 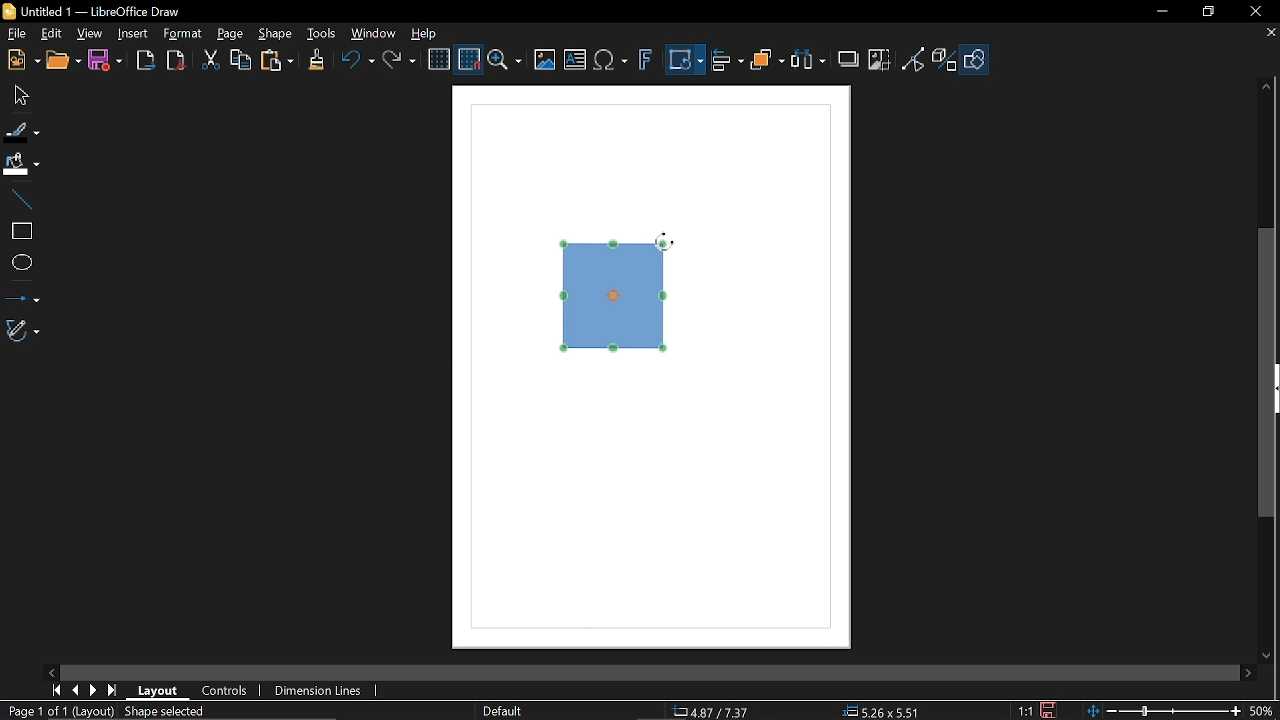 I want to click on Copy, so click(x=241, y=61).